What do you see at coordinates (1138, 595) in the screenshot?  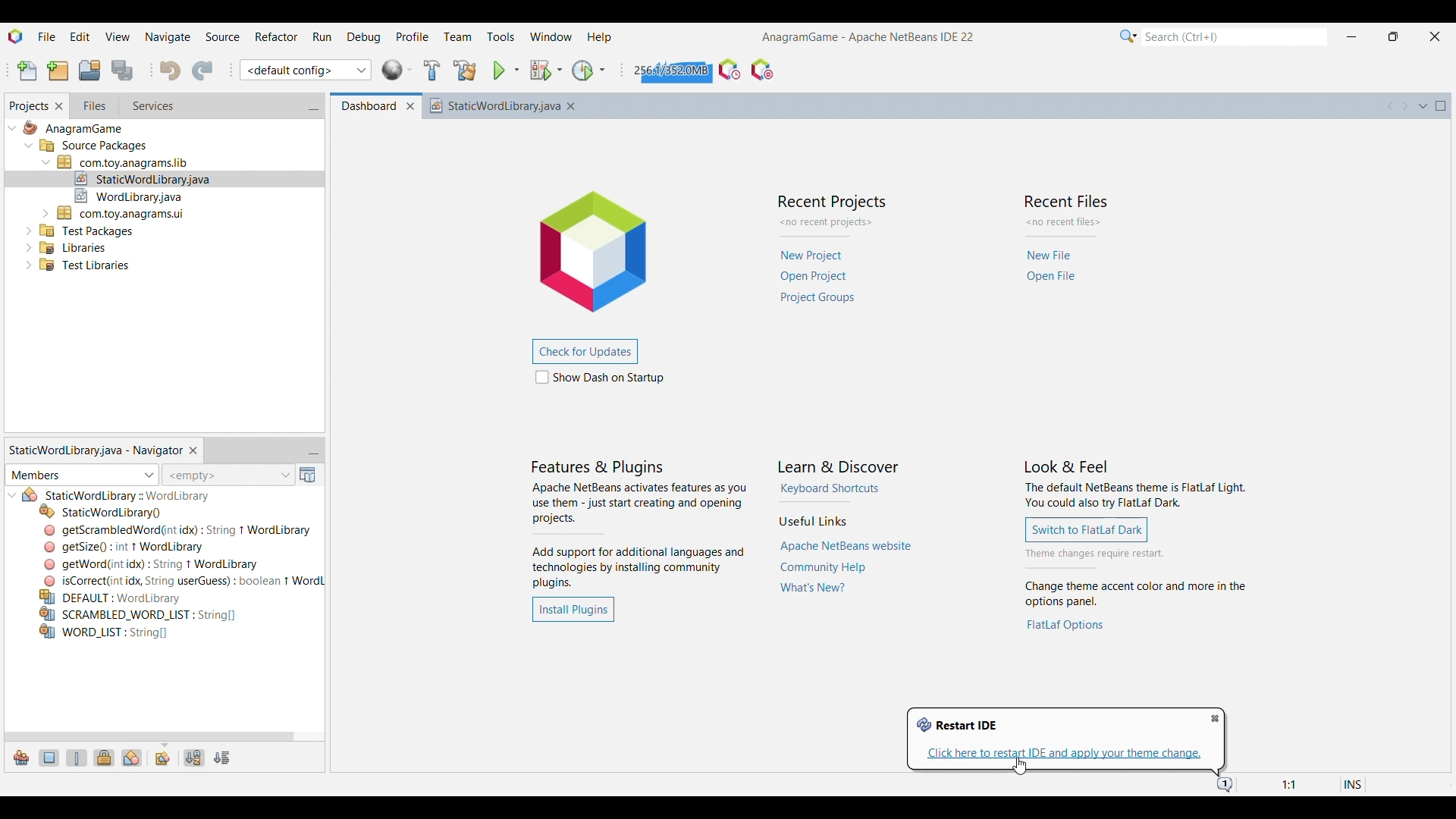 I see `Description of FlatLaf options` at bounding box center [1138, 595].